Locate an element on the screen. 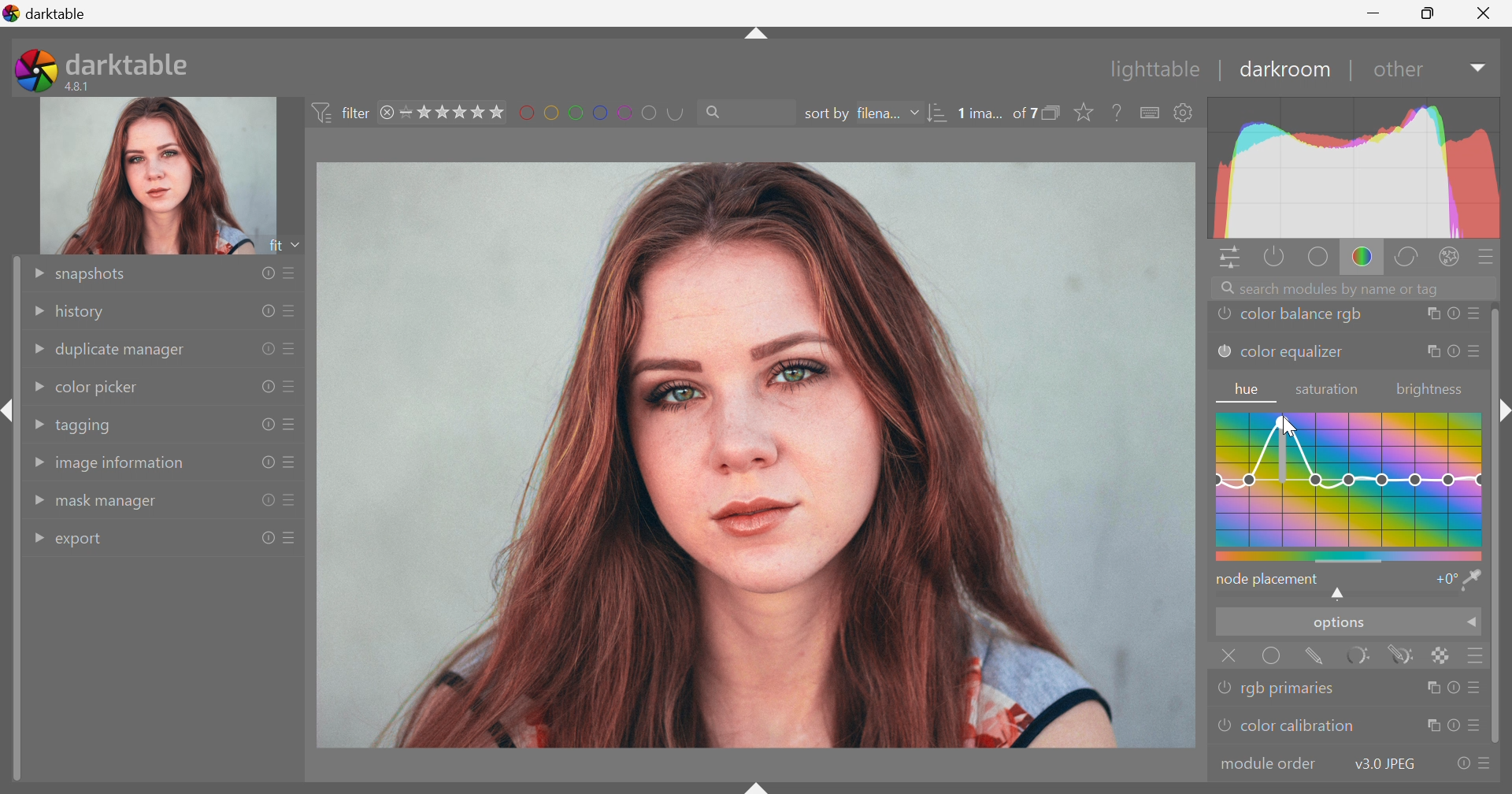 This screenshot has height=794, width=1512. color picker is located at coordinates (98, 386).